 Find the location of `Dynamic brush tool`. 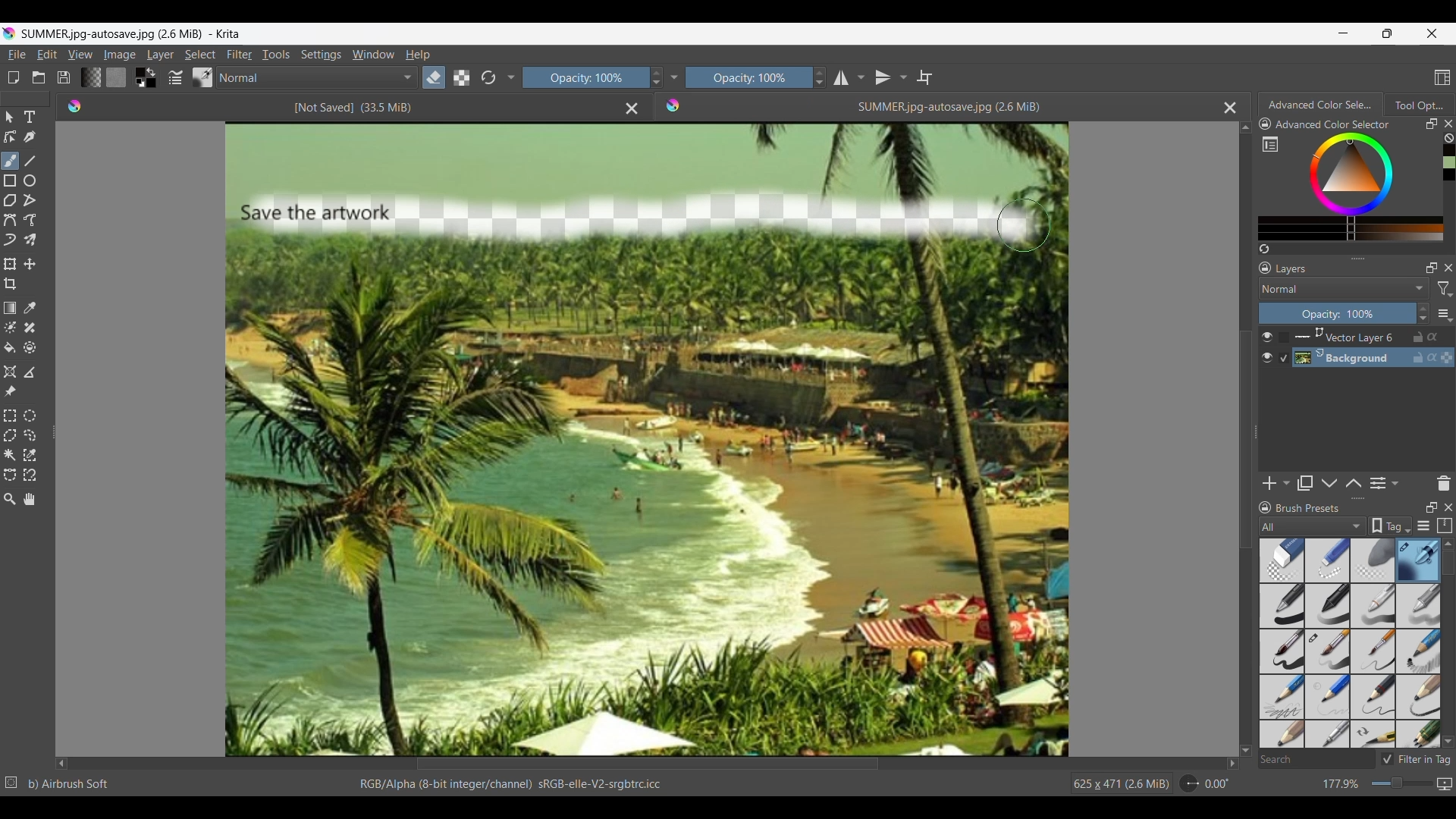

Dynamic brush tool is located at coordinates (10, 240).